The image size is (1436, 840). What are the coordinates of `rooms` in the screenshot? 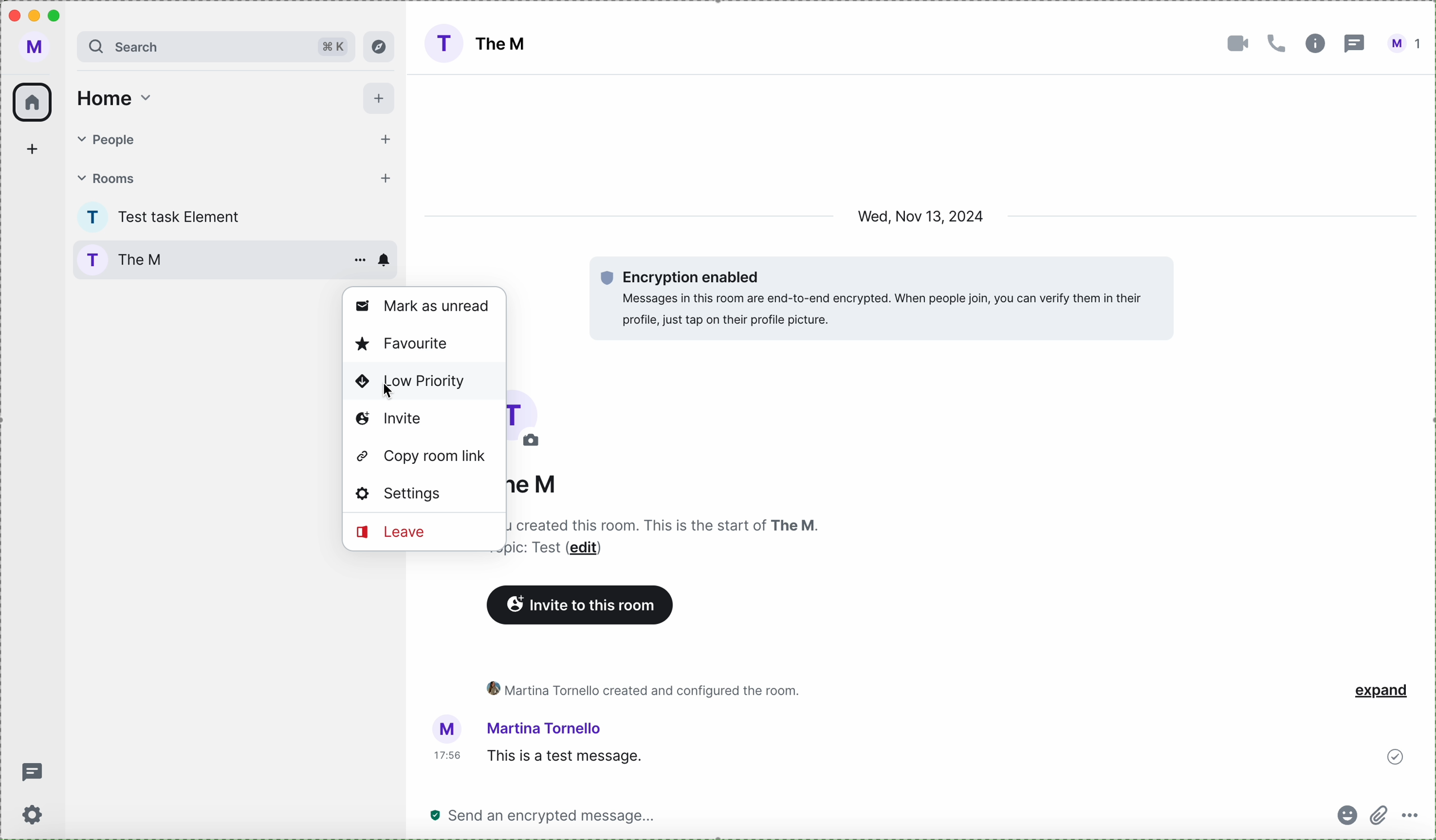 It's located at (213, 177).